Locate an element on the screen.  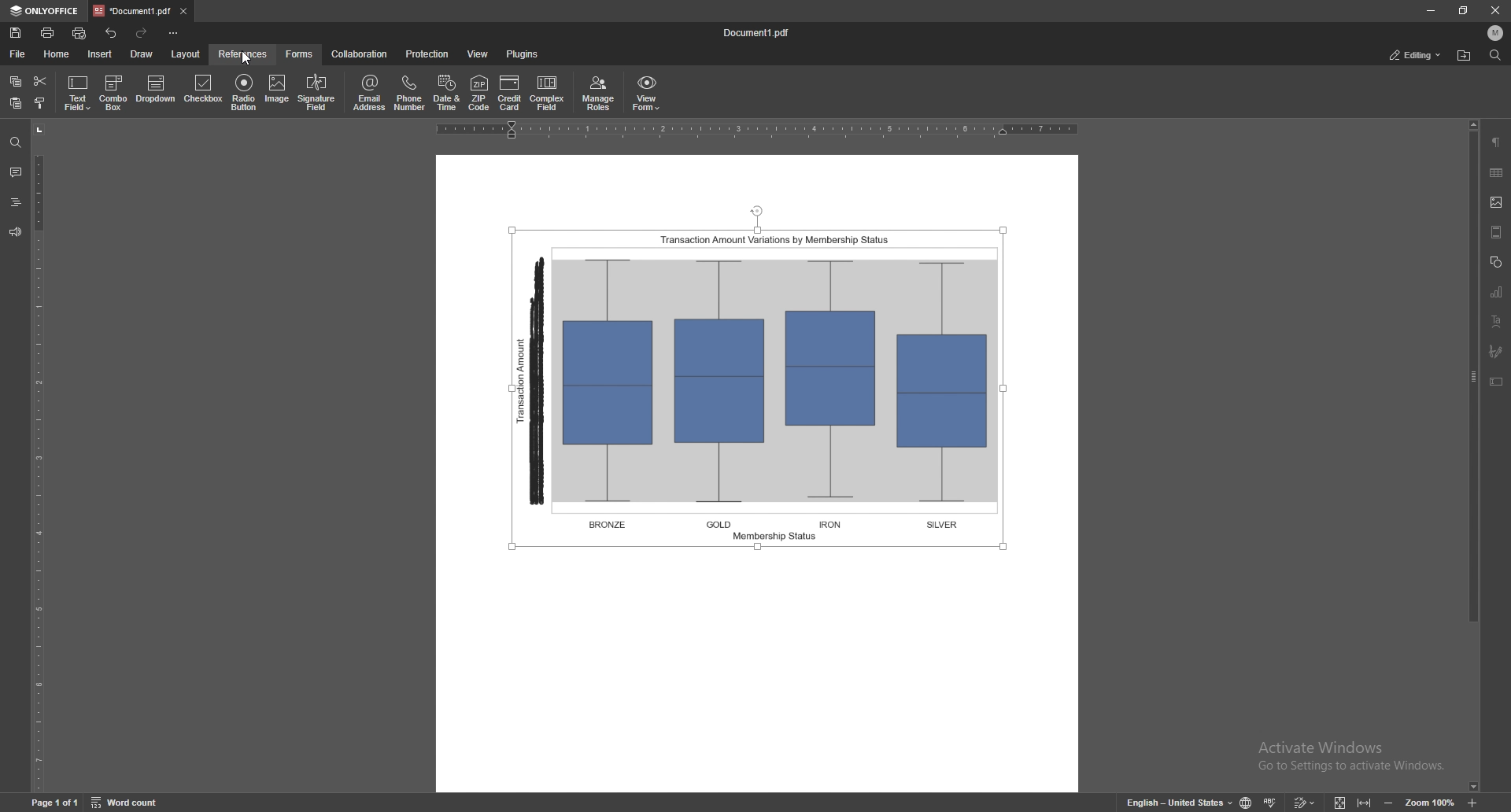
cut is located at coordinates (40, 82).